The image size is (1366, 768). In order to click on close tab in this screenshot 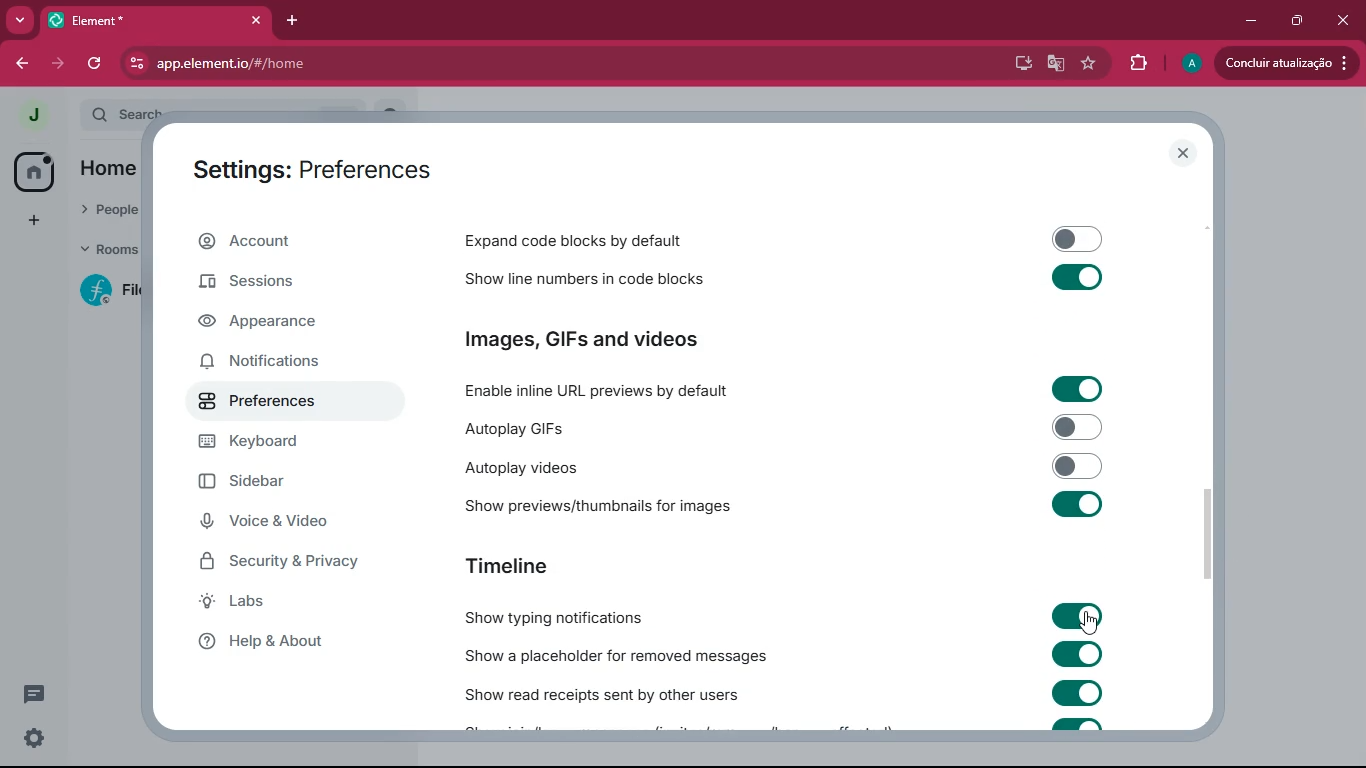, I will do `click(256, 20)`.